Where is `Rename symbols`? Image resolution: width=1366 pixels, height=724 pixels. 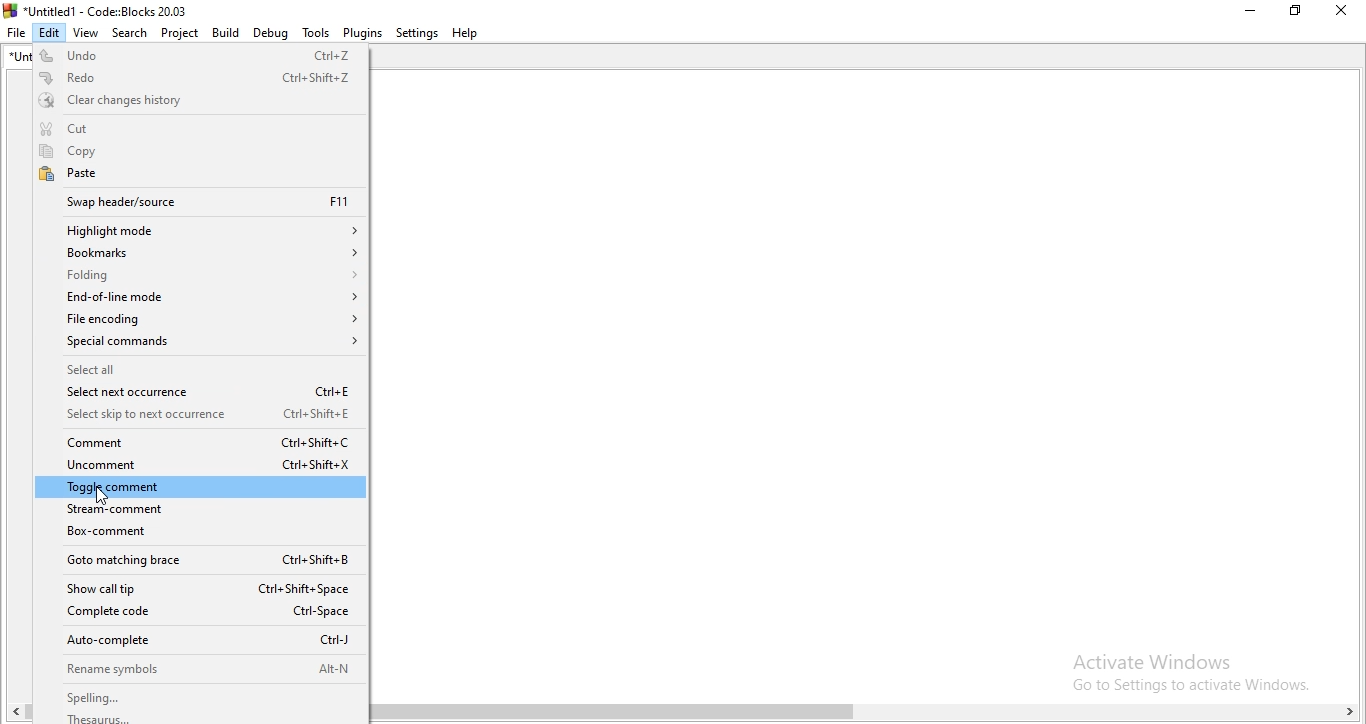 Rename symbols is located at coordinates (207, 671).